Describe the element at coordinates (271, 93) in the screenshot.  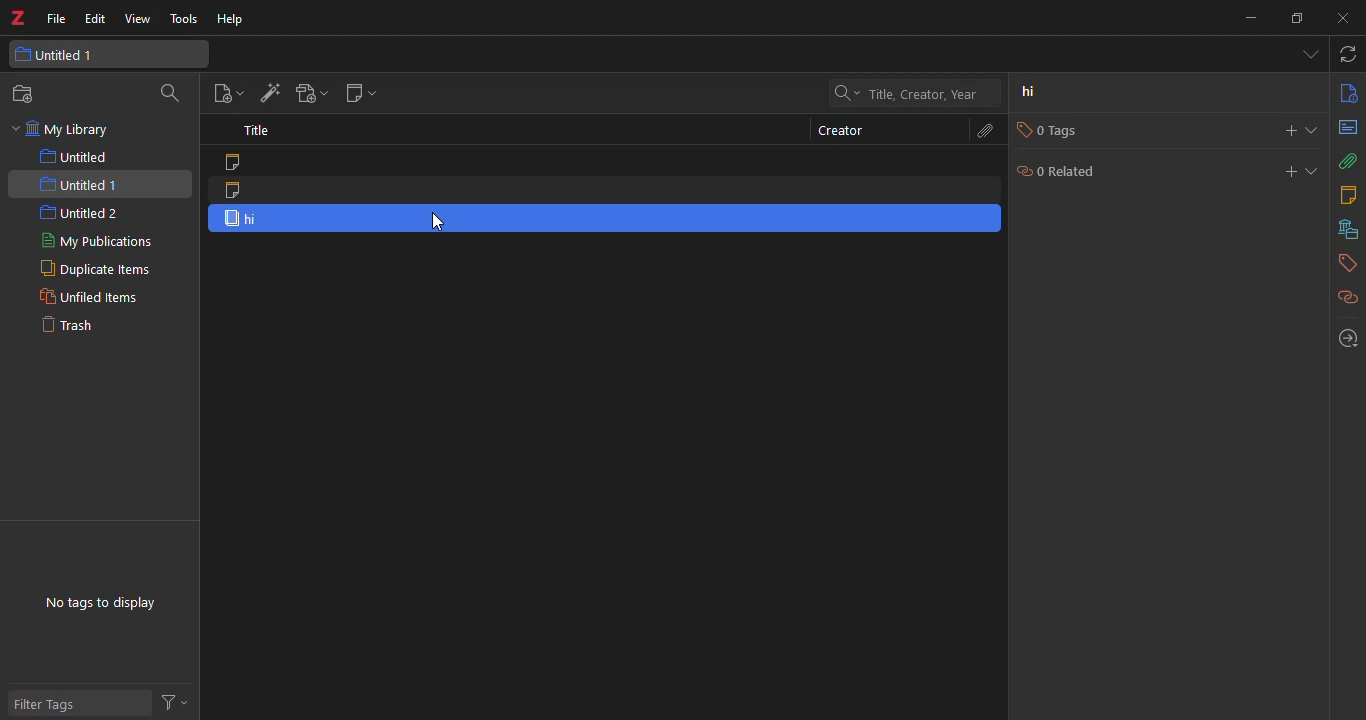
I see `add item` at that location.